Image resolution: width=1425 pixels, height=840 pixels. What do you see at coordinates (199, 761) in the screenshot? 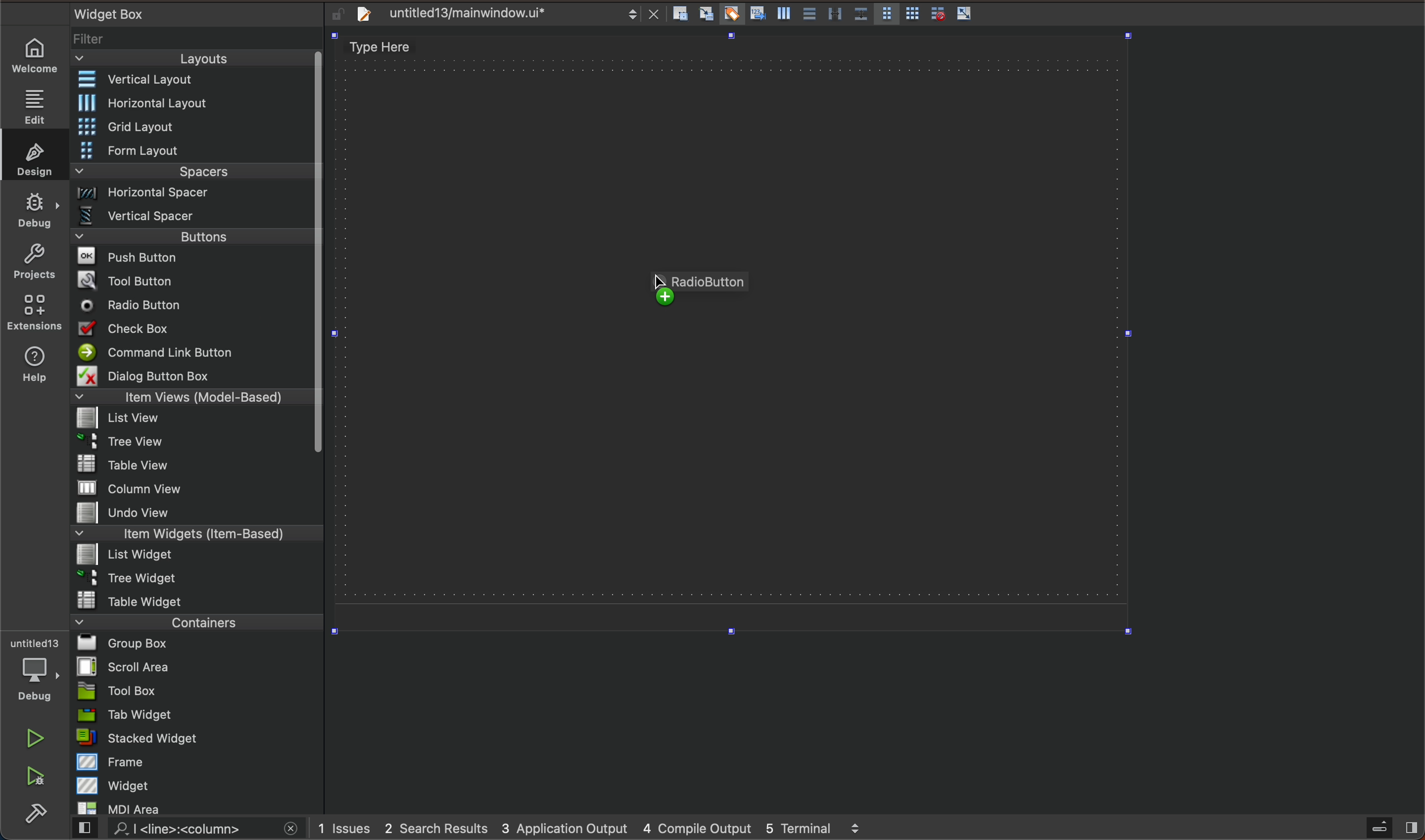
I see `frame` at bounding box center [199, 761].